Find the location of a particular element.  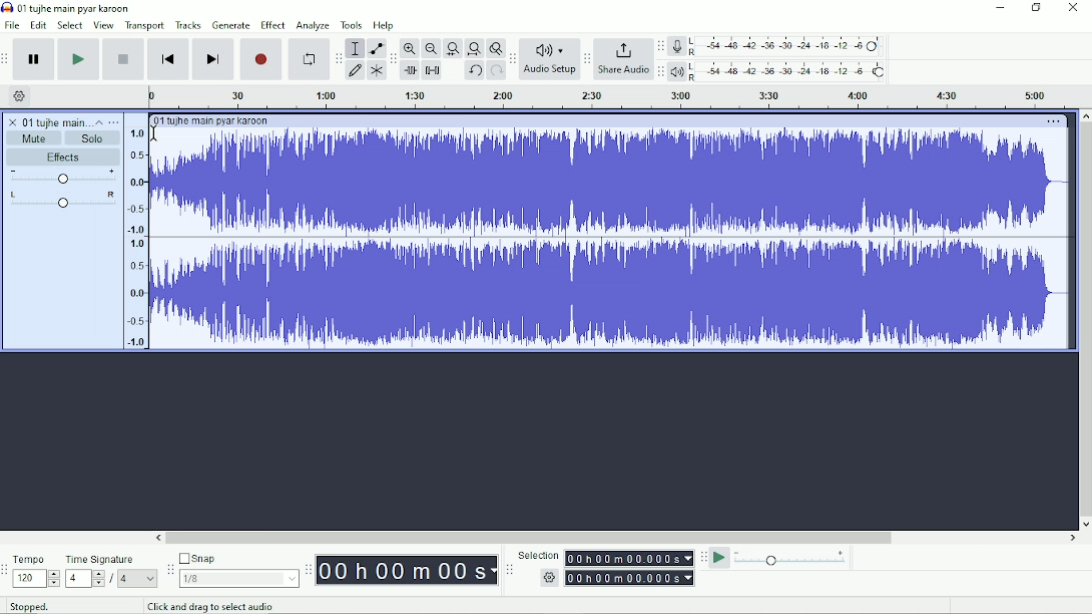

Enable looping is located at coordinates (309, 59).